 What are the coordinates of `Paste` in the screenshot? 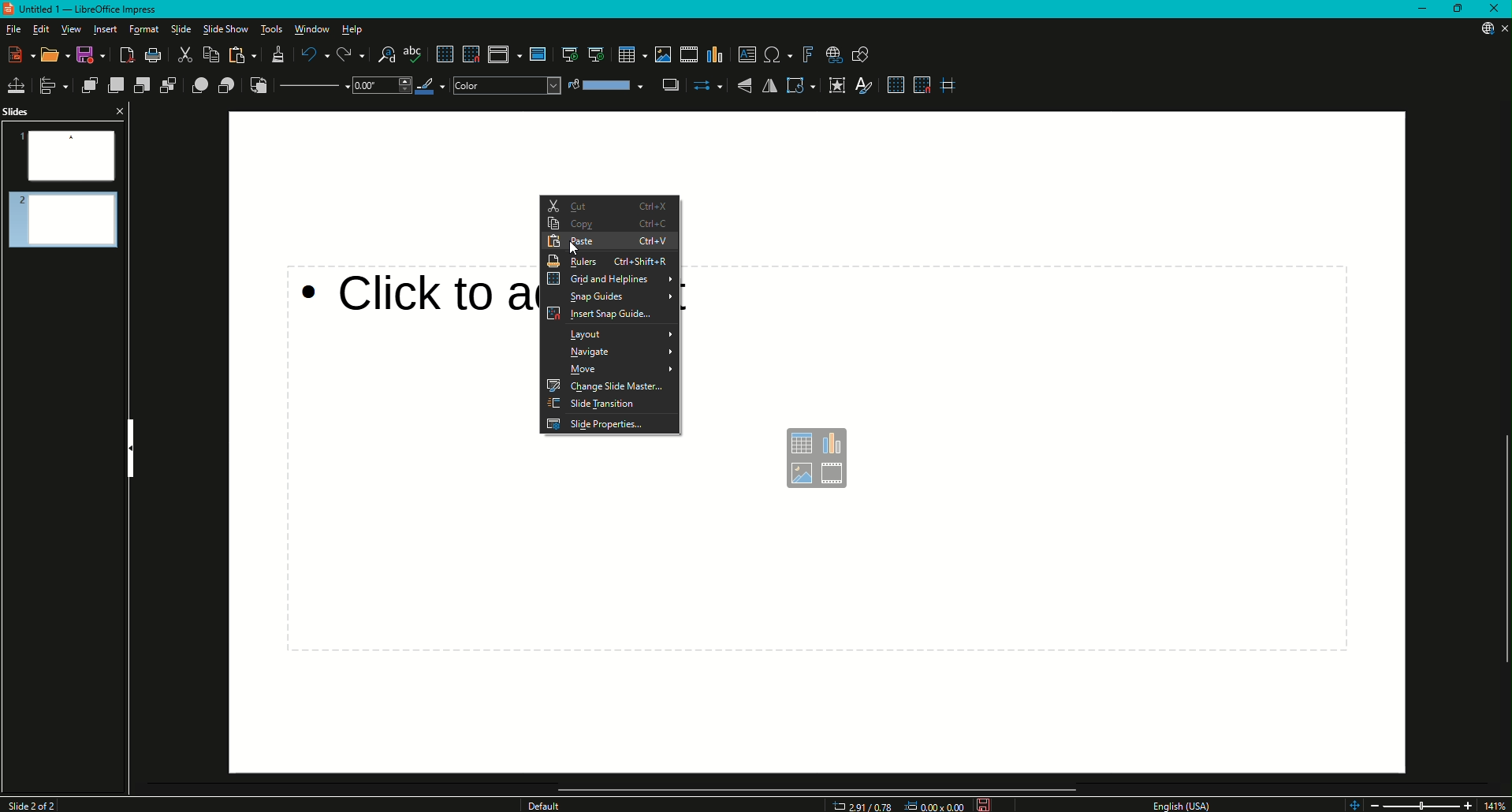 It's located at (240, 57).